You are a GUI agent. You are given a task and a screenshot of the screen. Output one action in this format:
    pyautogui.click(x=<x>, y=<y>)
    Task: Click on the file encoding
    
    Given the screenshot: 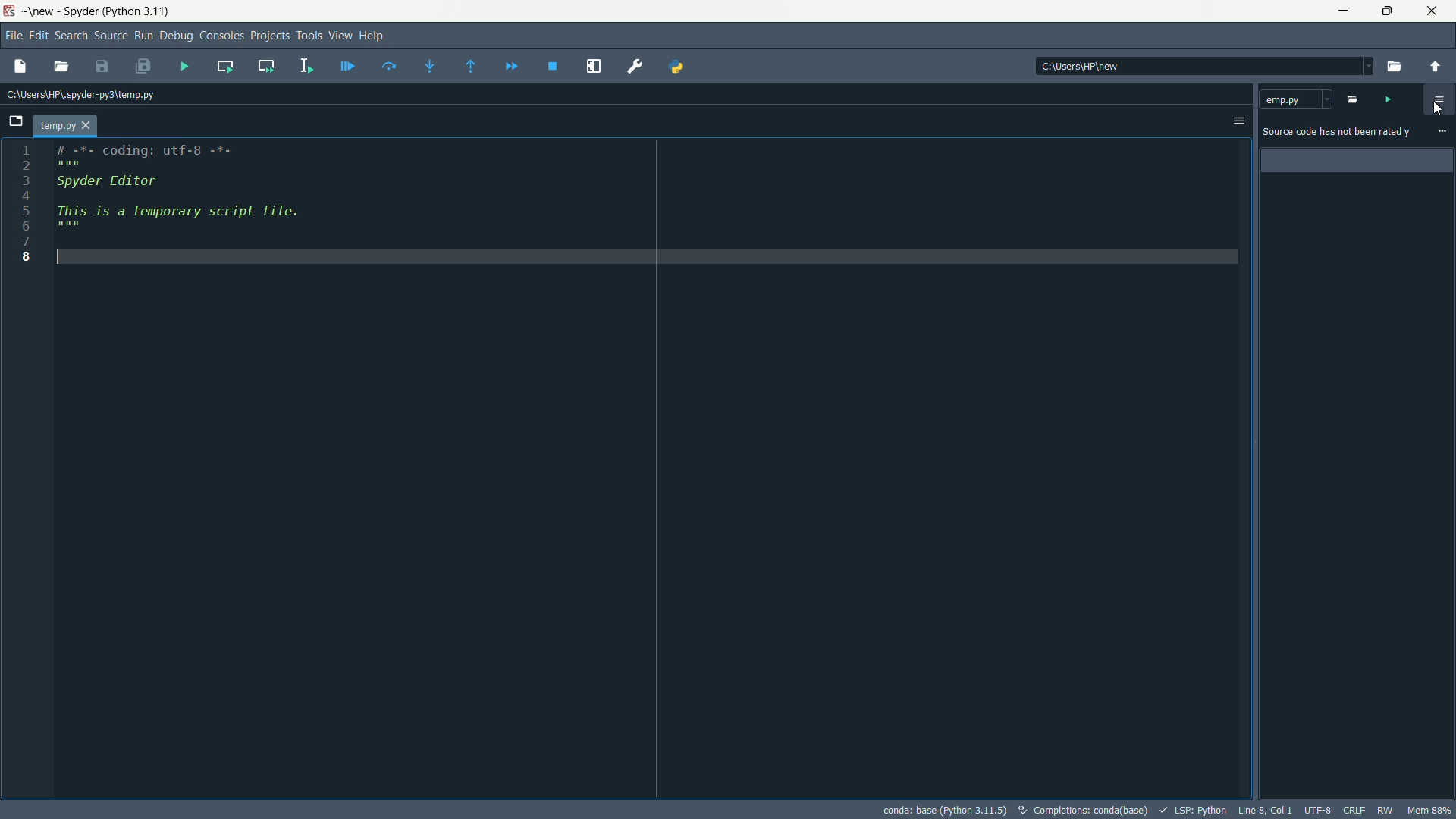 What is the action you would take?
    pyautogui.click(x=1317, y=809)
    